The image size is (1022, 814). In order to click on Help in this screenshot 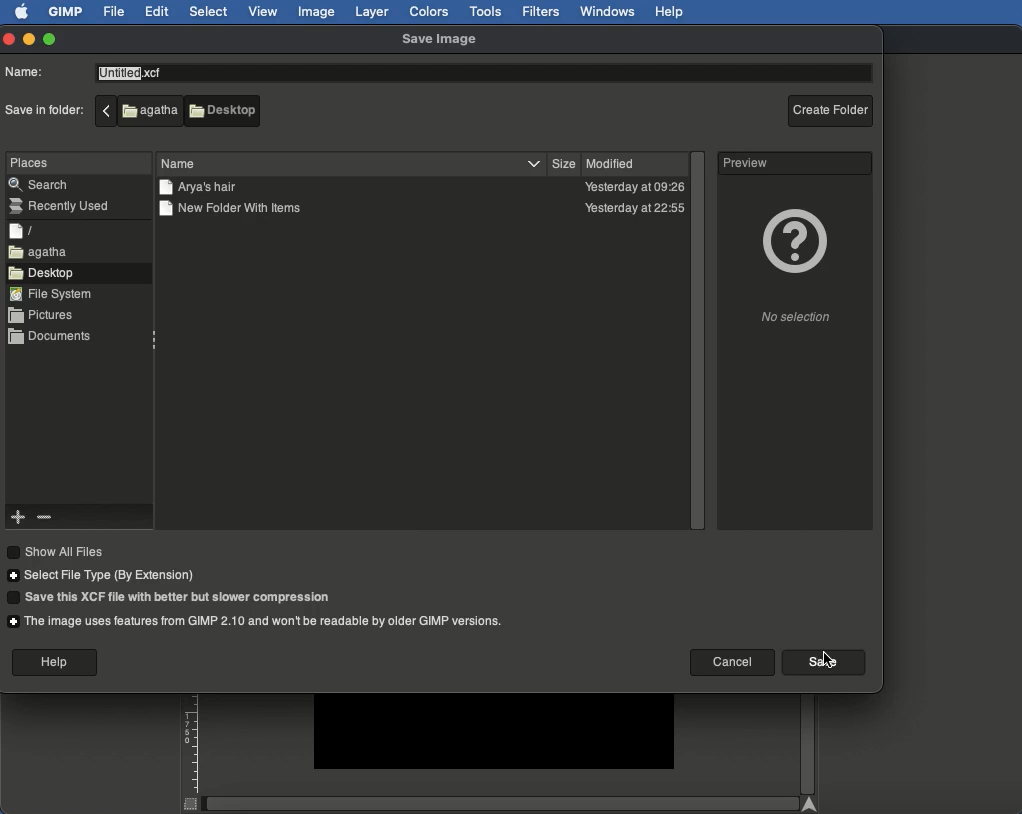, I will do `click(670, 12)`.